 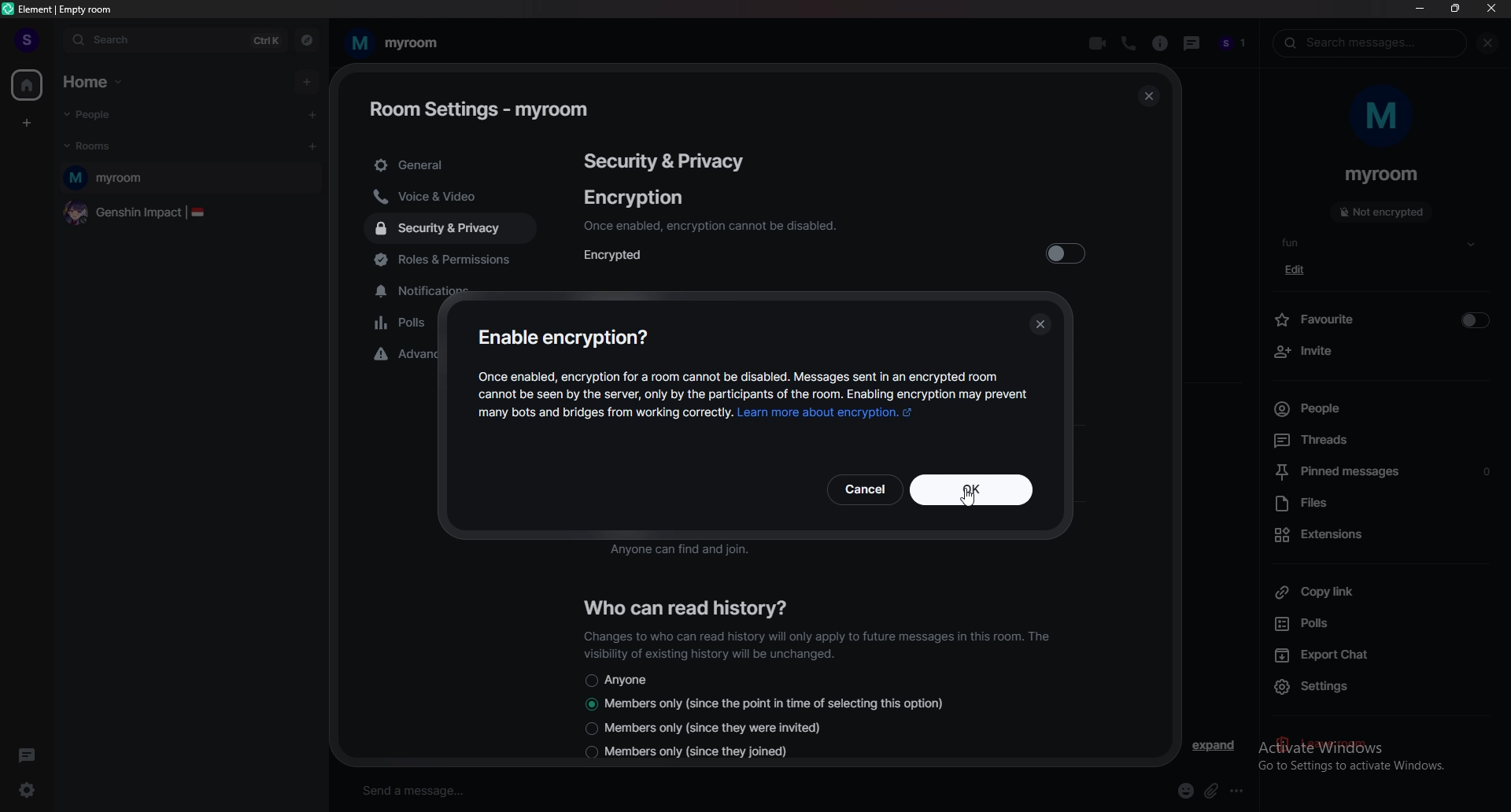 I want to click on  Members only (since the point in time of selecting this option), so click(x=766, y=705).